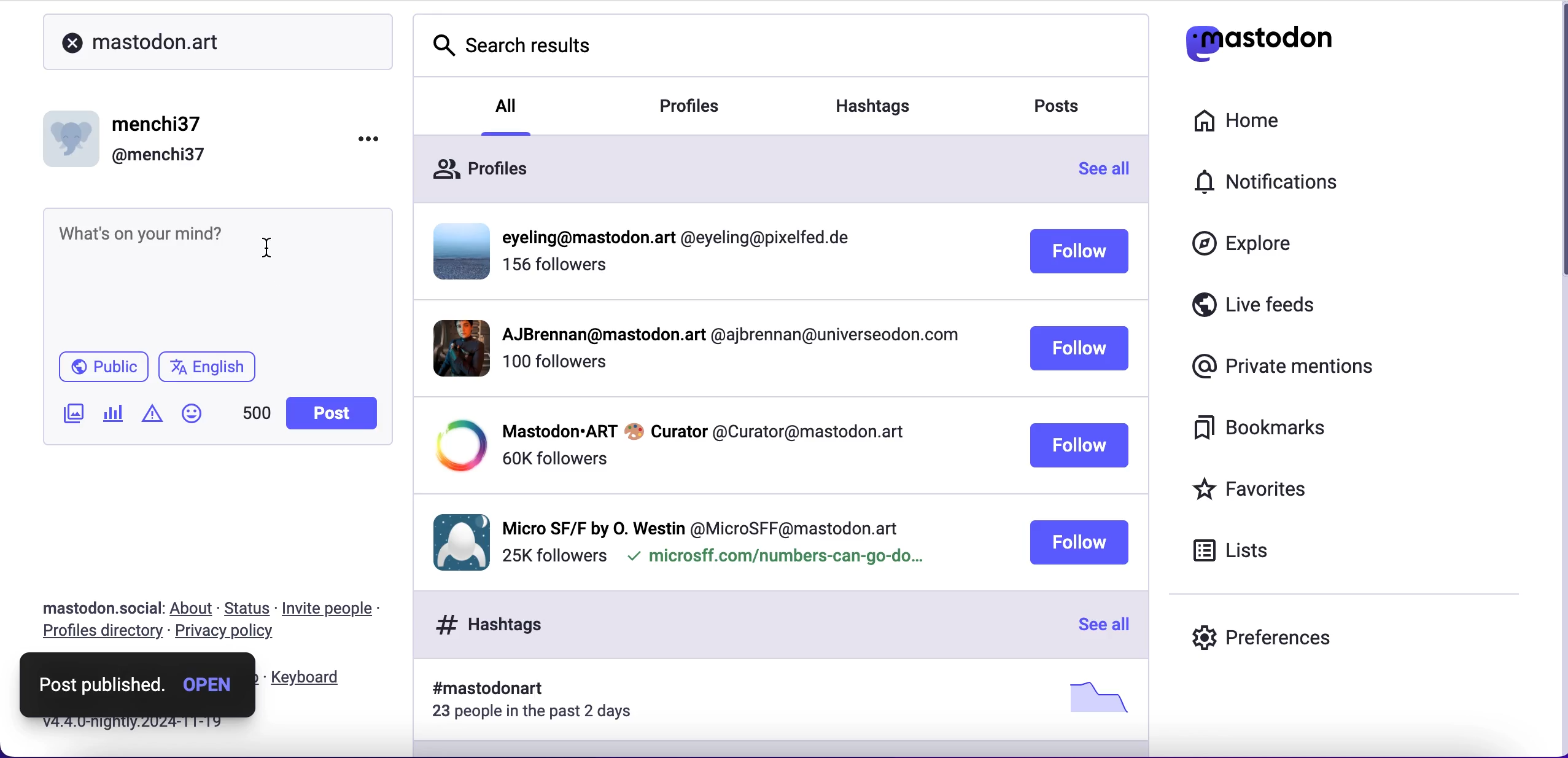  Describe the element at coordinates (1079, 446) in the screenshot. I see `follow` at that location.